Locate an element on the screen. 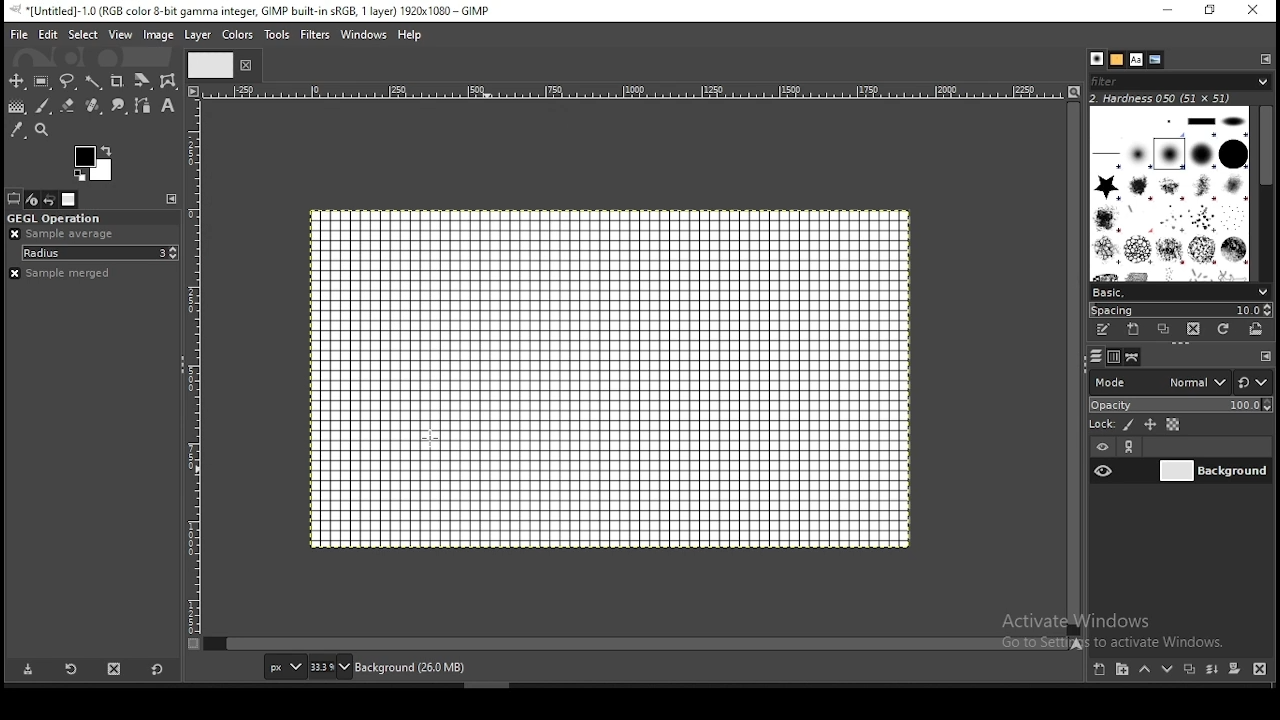 This screenshot has height=720, width=1280. fonts is located at coordinates (1136, 59).